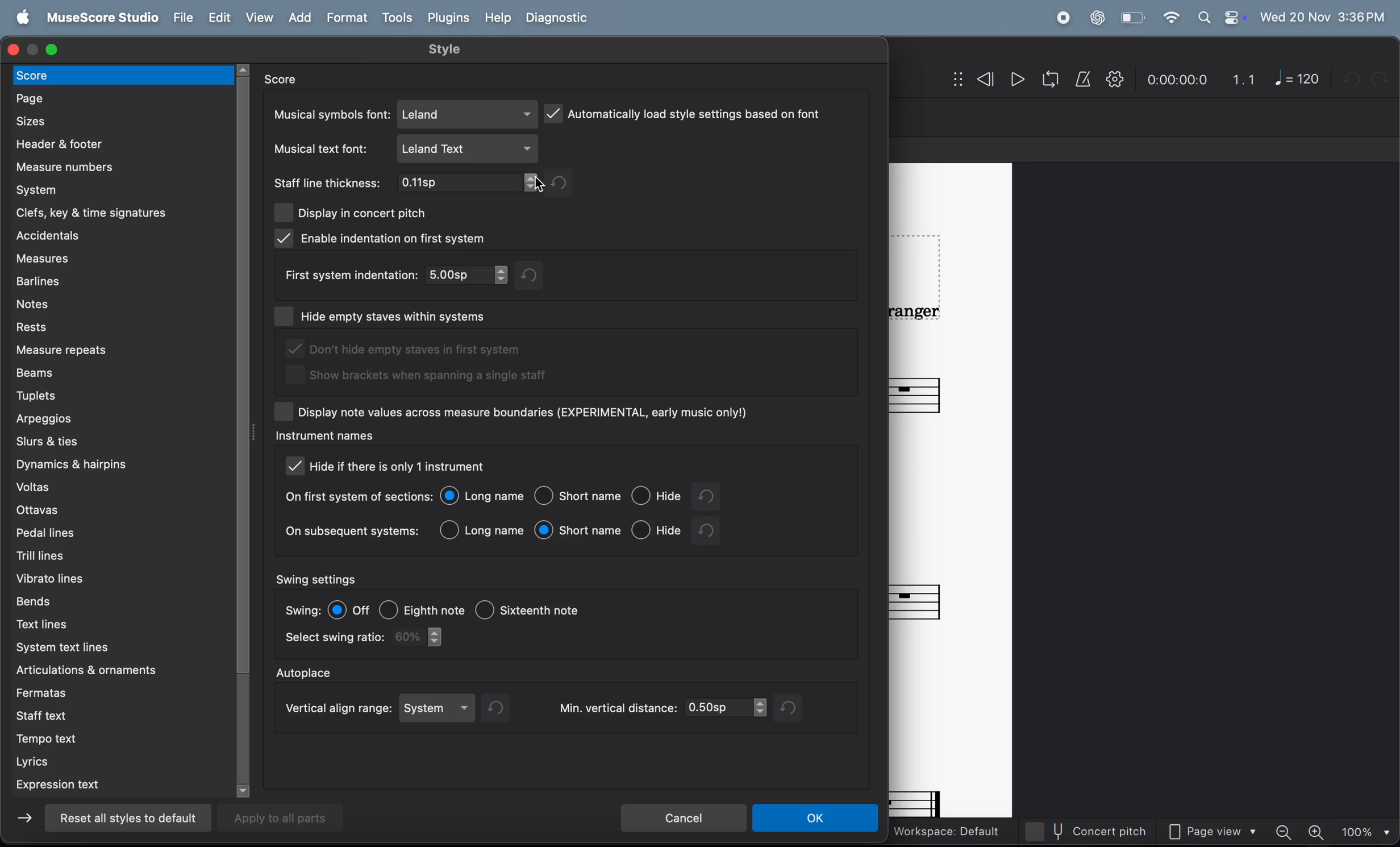  I want to click on zoom out, so click(1287, 831).